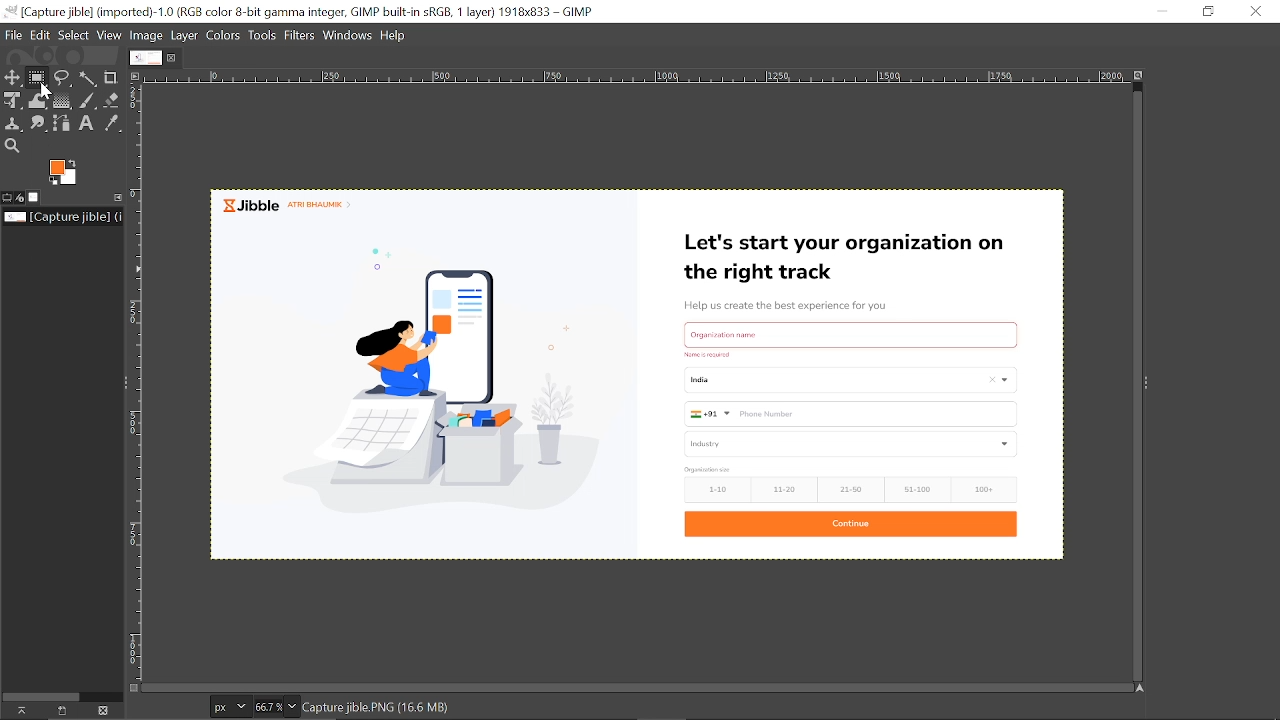 Image resolution: width=1280 pixels, height=720 pixels. Describe the element at coordinates (41, 35) in the screenshot. I see `Edit` at that location.